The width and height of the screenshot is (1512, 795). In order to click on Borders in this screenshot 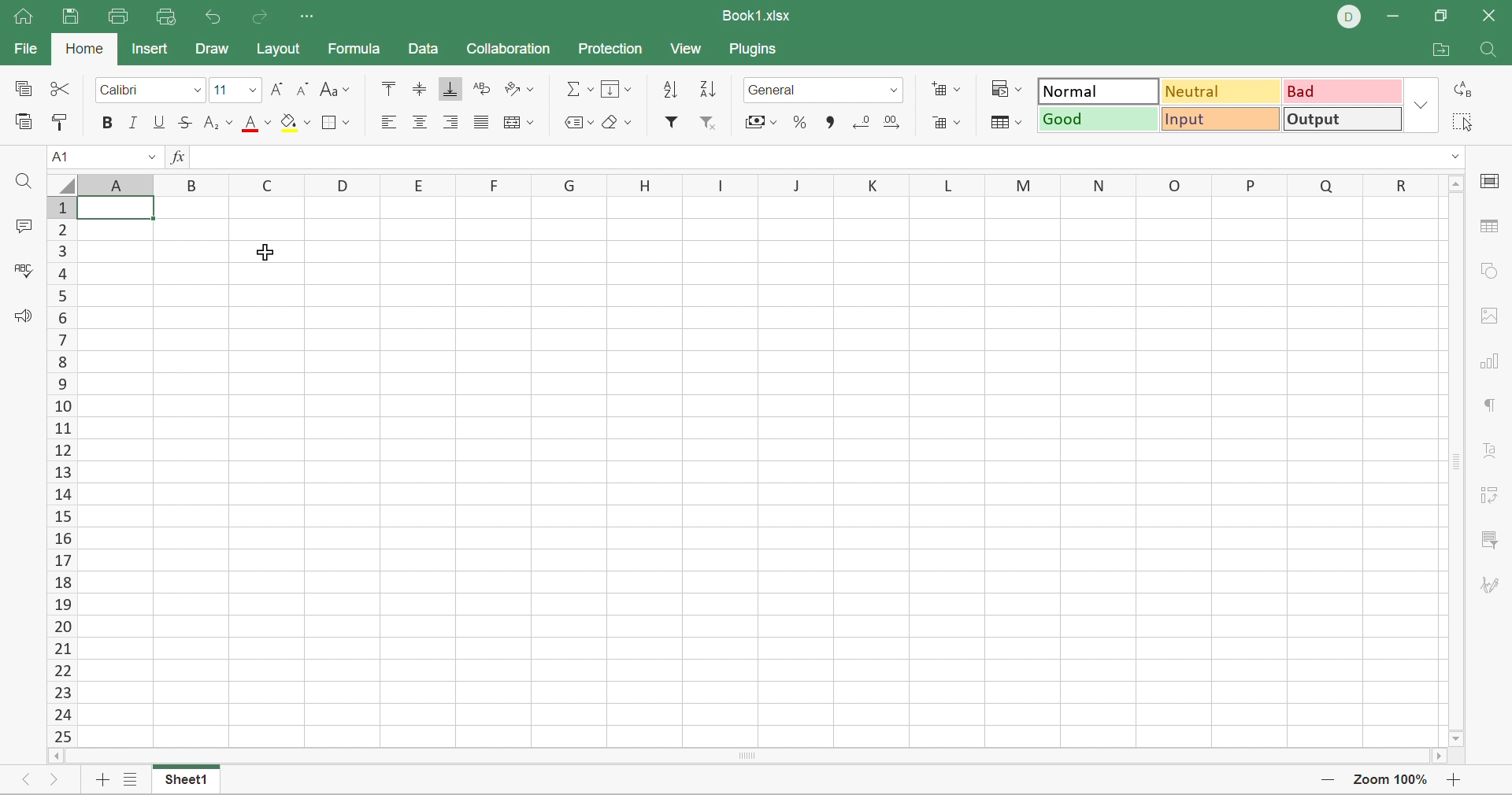, I will do `click(337, 122)`.